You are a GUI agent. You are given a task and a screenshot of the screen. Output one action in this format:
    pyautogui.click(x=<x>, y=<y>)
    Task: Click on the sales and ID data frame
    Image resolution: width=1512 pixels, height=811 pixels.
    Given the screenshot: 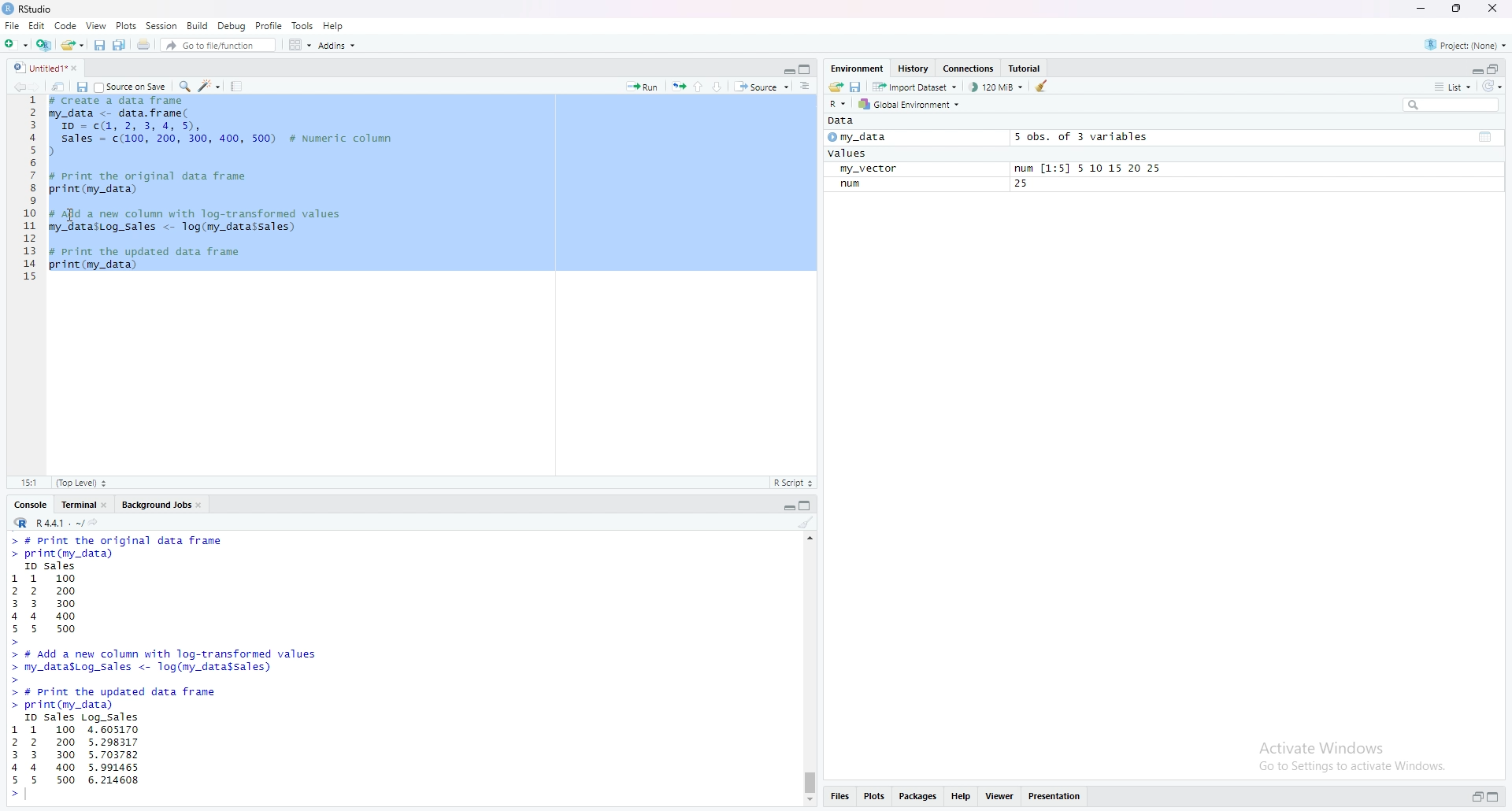 What is the action you would take?
    pyautogui.click(x=224, y=135)
    